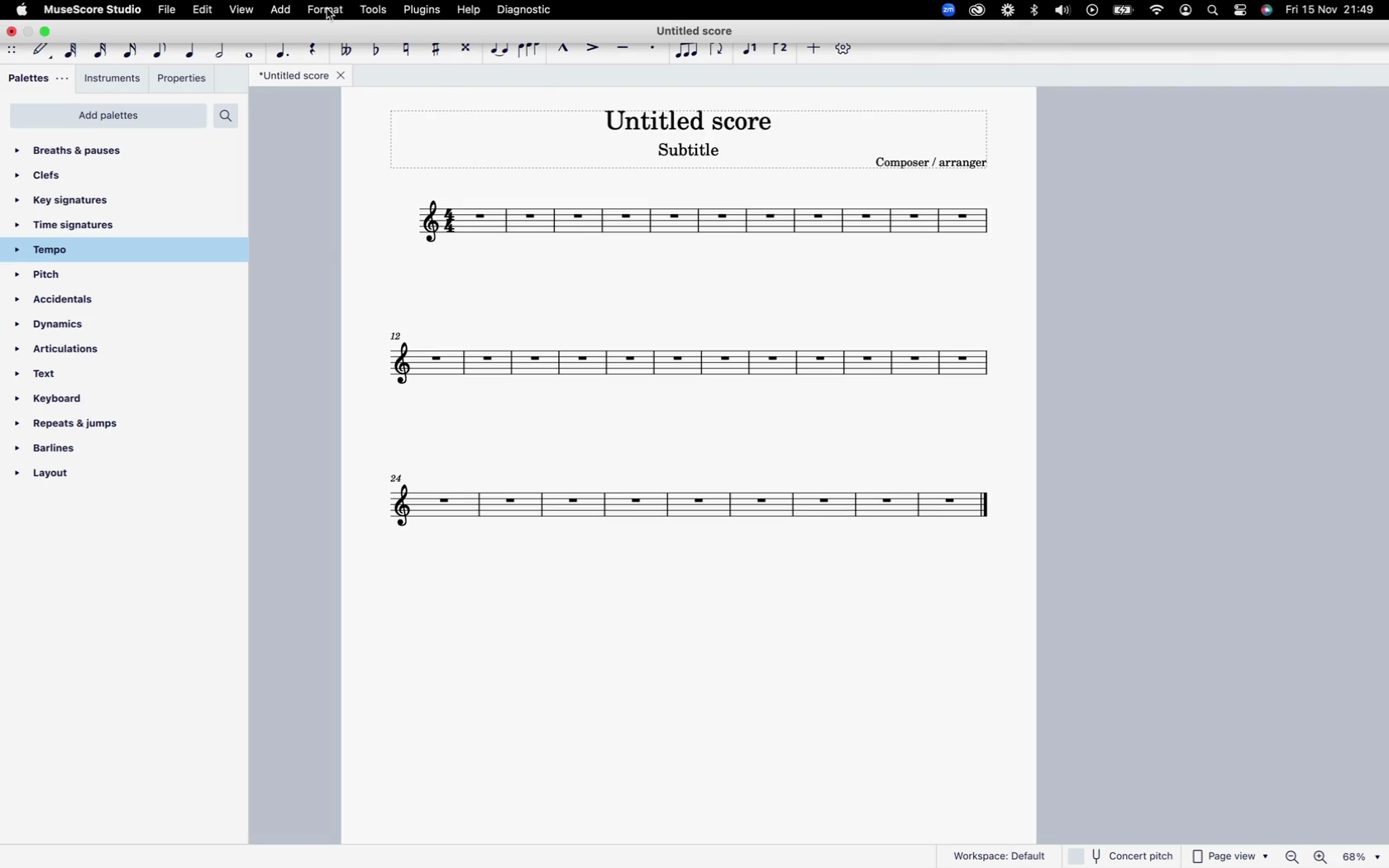 The image size is (1389, 868). What do you see at coordinates (92, 9) in the screenshot?
I see `musescore studio` at bounding box center [92, 9].